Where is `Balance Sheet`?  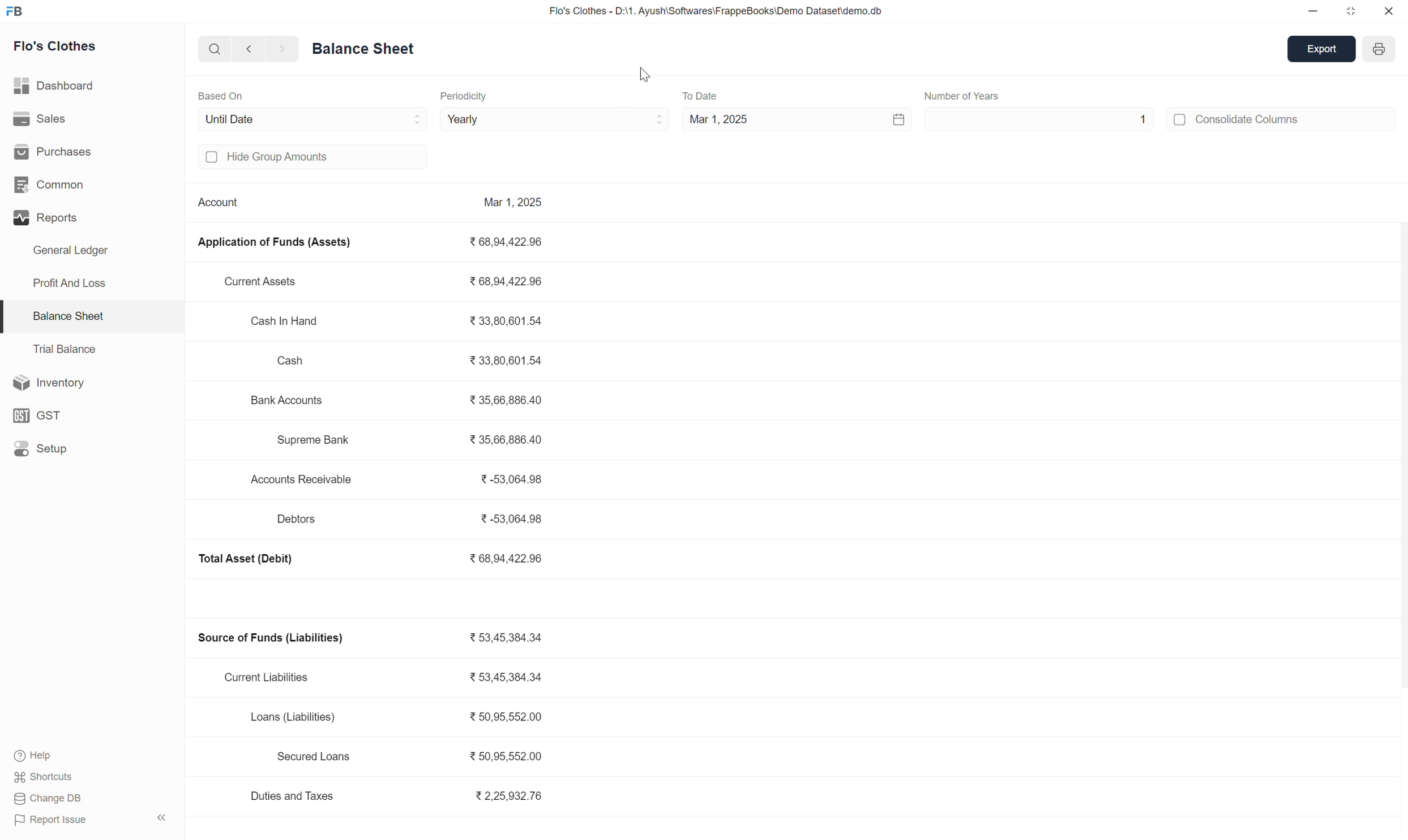
Balance Sheet is located at coordinates (363, 47).